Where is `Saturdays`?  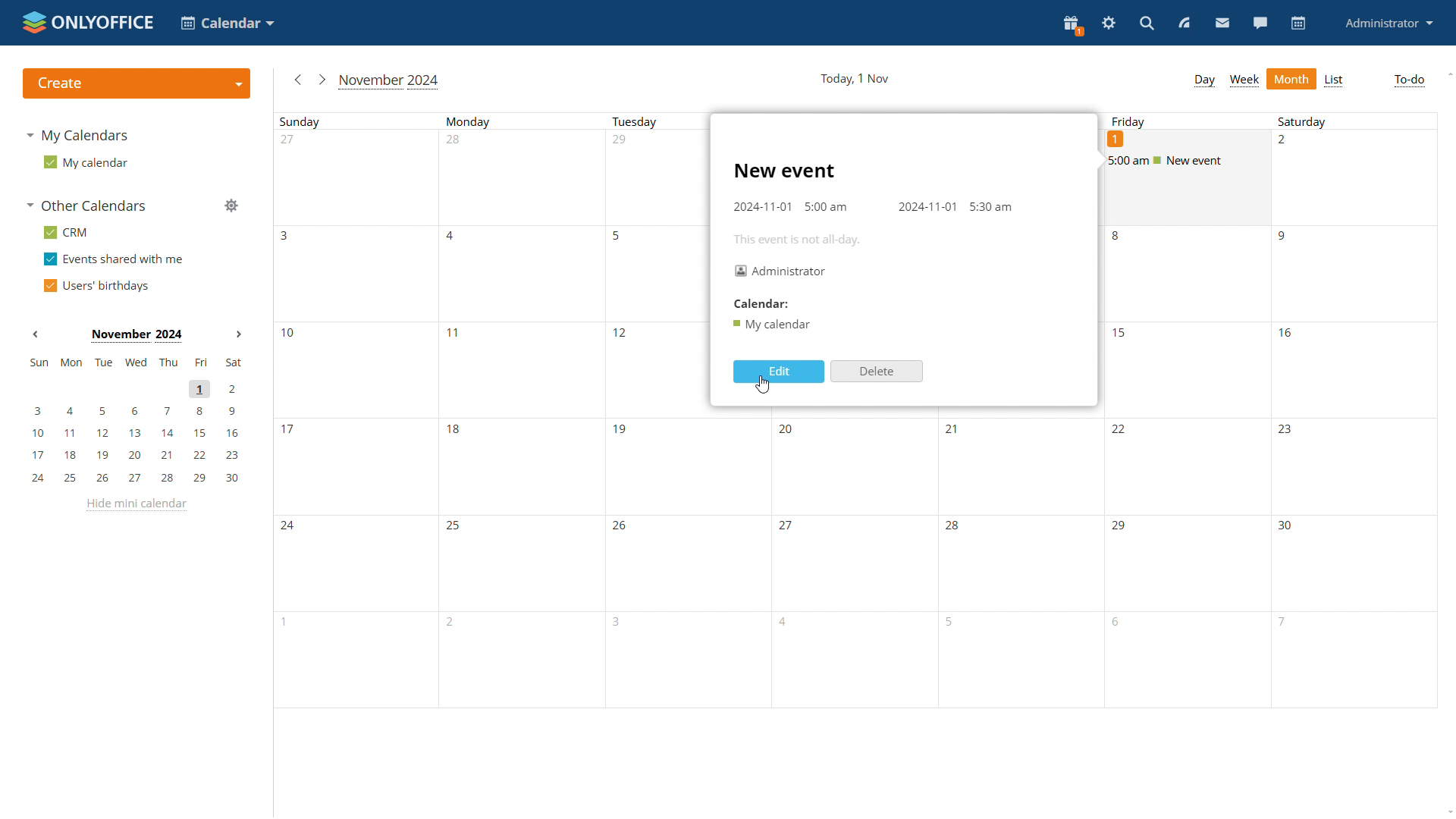
Saturdays is located at coordinates (1351, 411).